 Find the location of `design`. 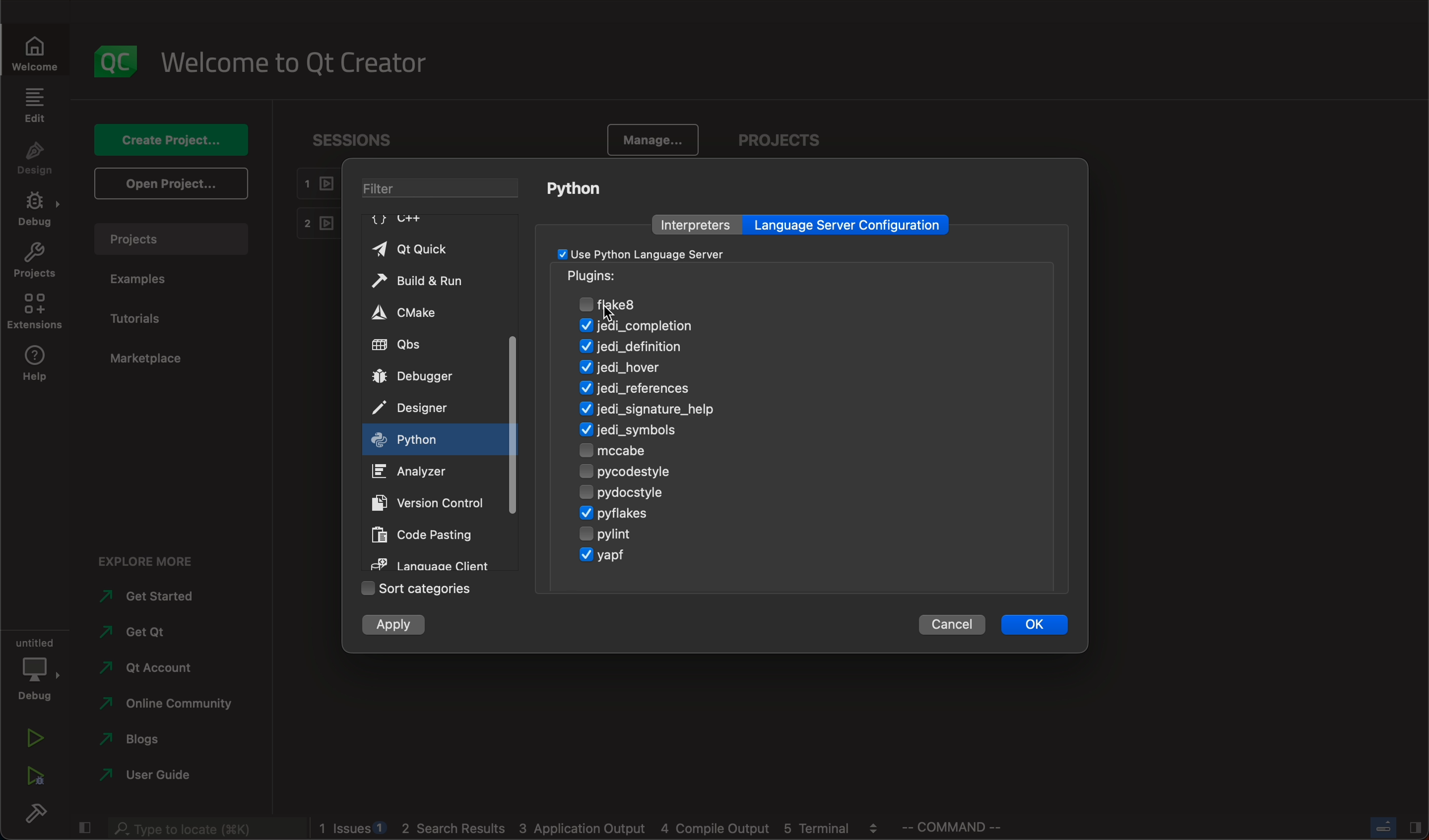

design is located at coordinates (31, 159).